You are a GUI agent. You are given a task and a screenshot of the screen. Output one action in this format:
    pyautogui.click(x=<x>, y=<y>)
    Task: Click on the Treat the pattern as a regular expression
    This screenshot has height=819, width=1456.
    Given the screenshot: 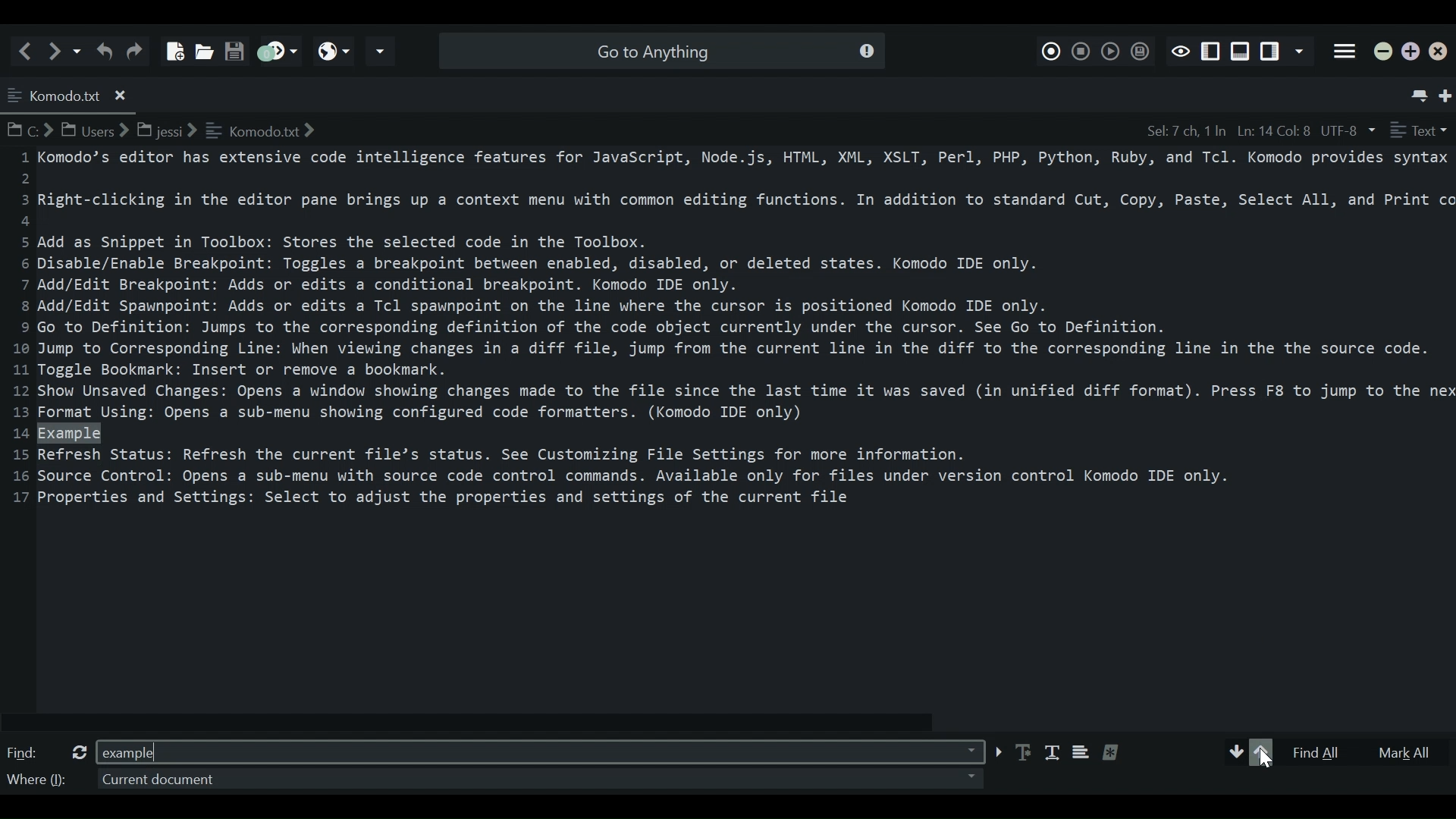 What is the action you would take?
    pyautogui.click(x=1116, y=752)
    